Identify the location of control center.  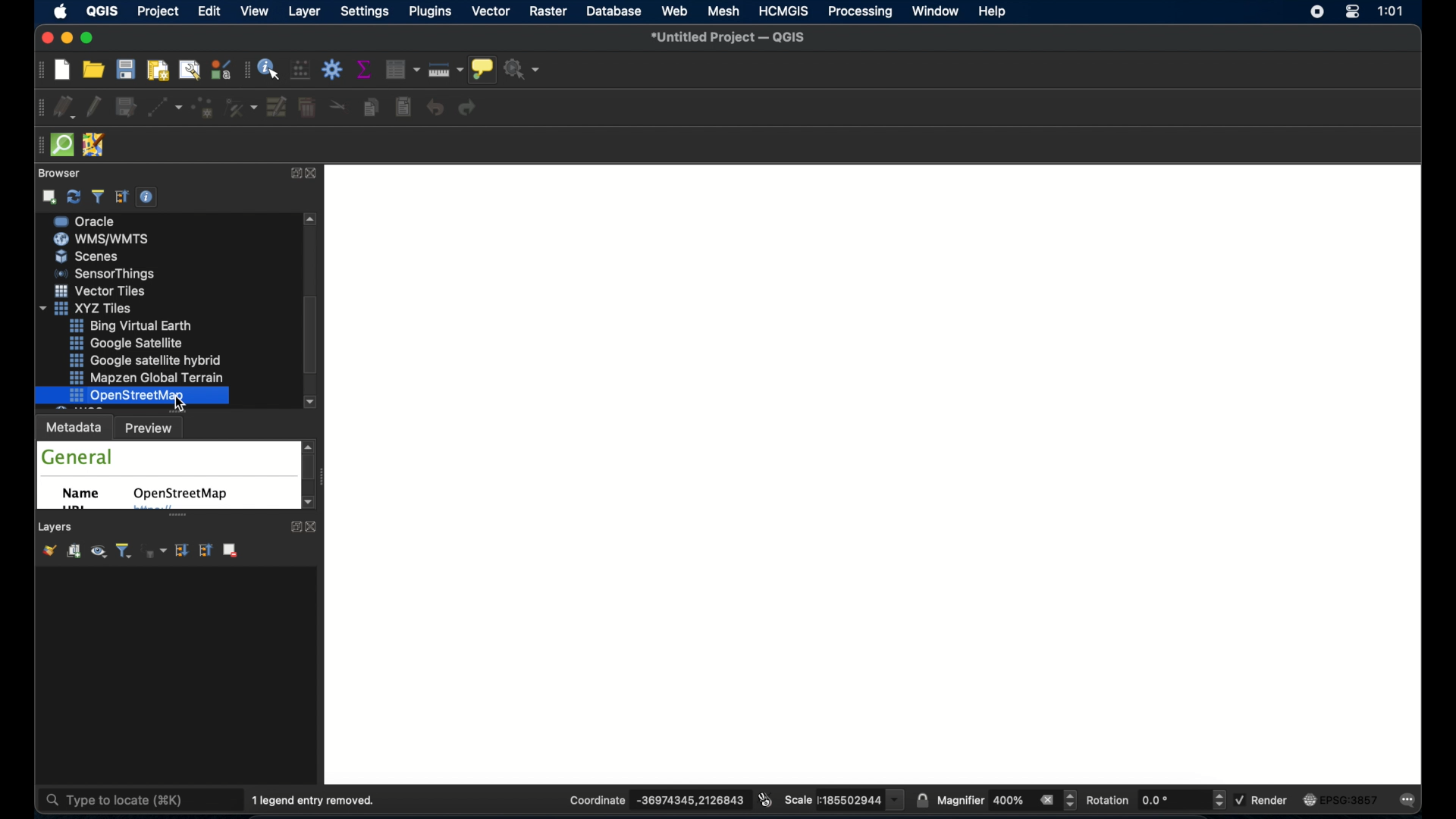
(1352, 13).